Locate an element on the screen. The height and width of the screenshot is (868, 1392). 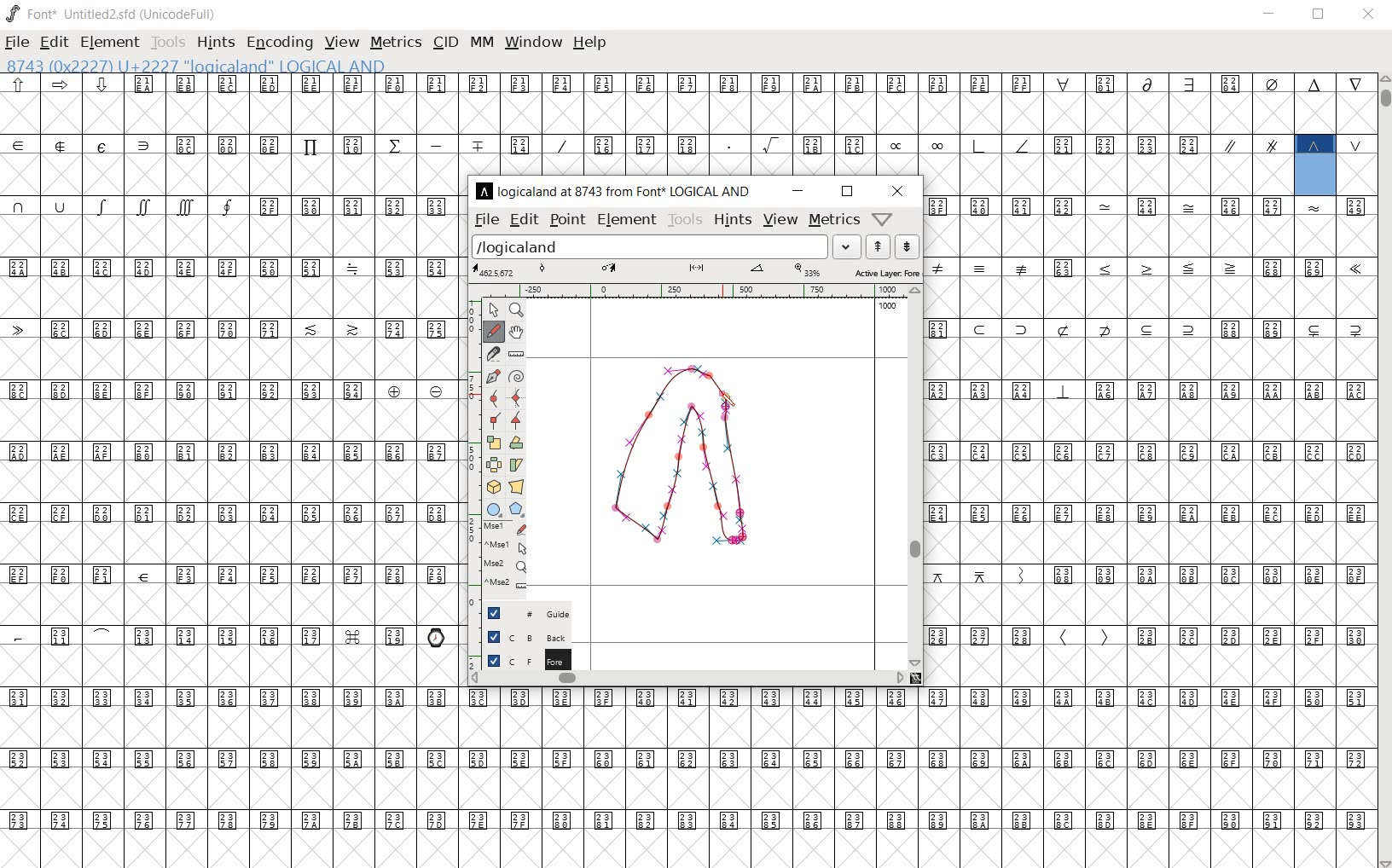
edit is located at coordinates (53, 42).